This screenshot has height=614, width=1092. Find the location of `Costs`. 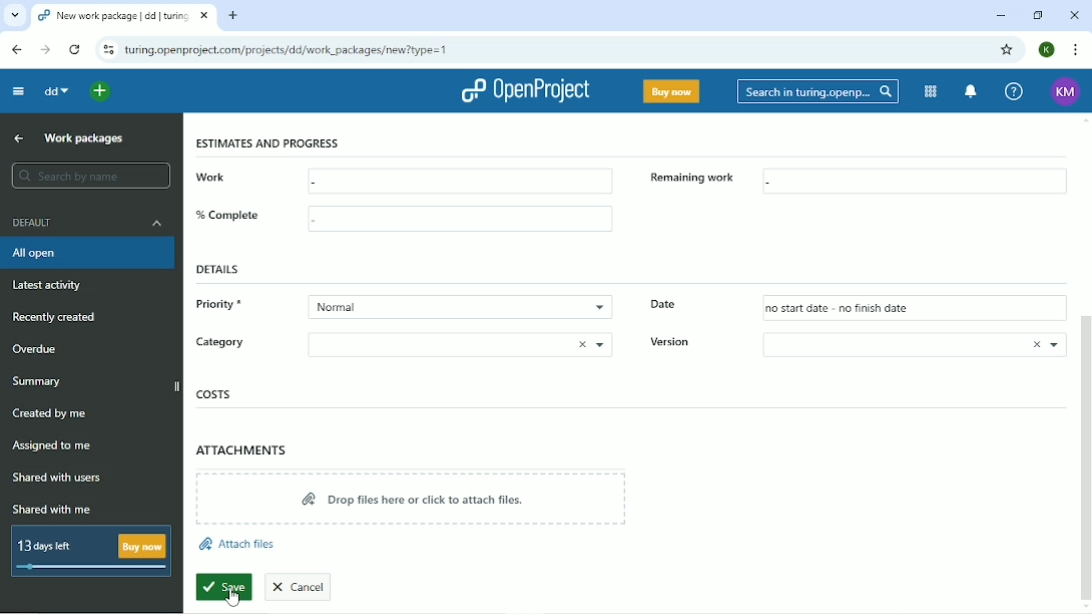

Costs is located at coordinates (214, 394).